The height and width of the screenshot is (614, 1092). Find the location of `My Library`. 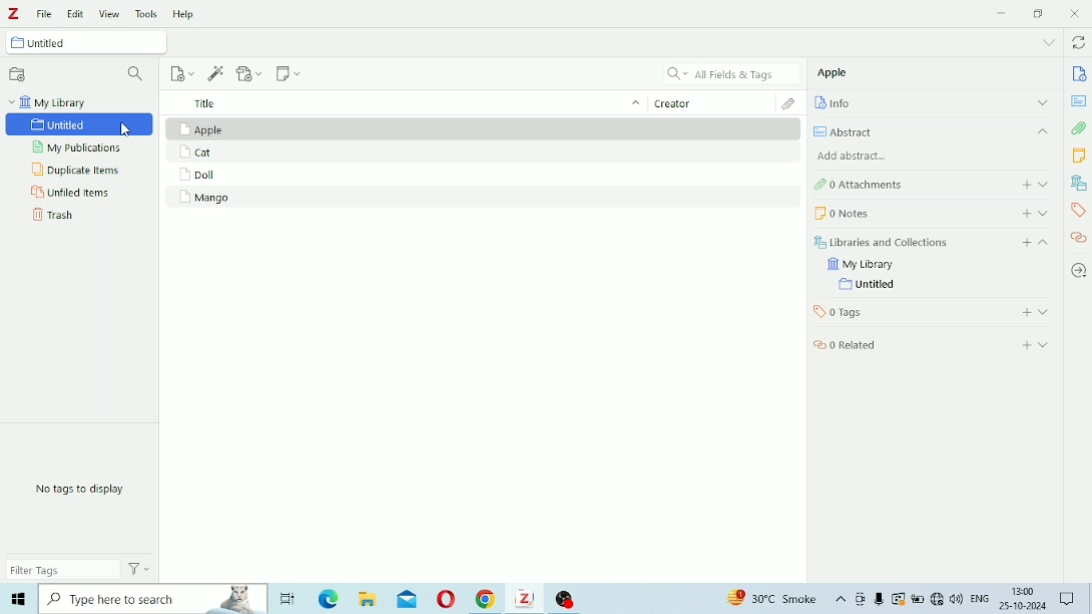

My Library is located at coordinates (859, 265).